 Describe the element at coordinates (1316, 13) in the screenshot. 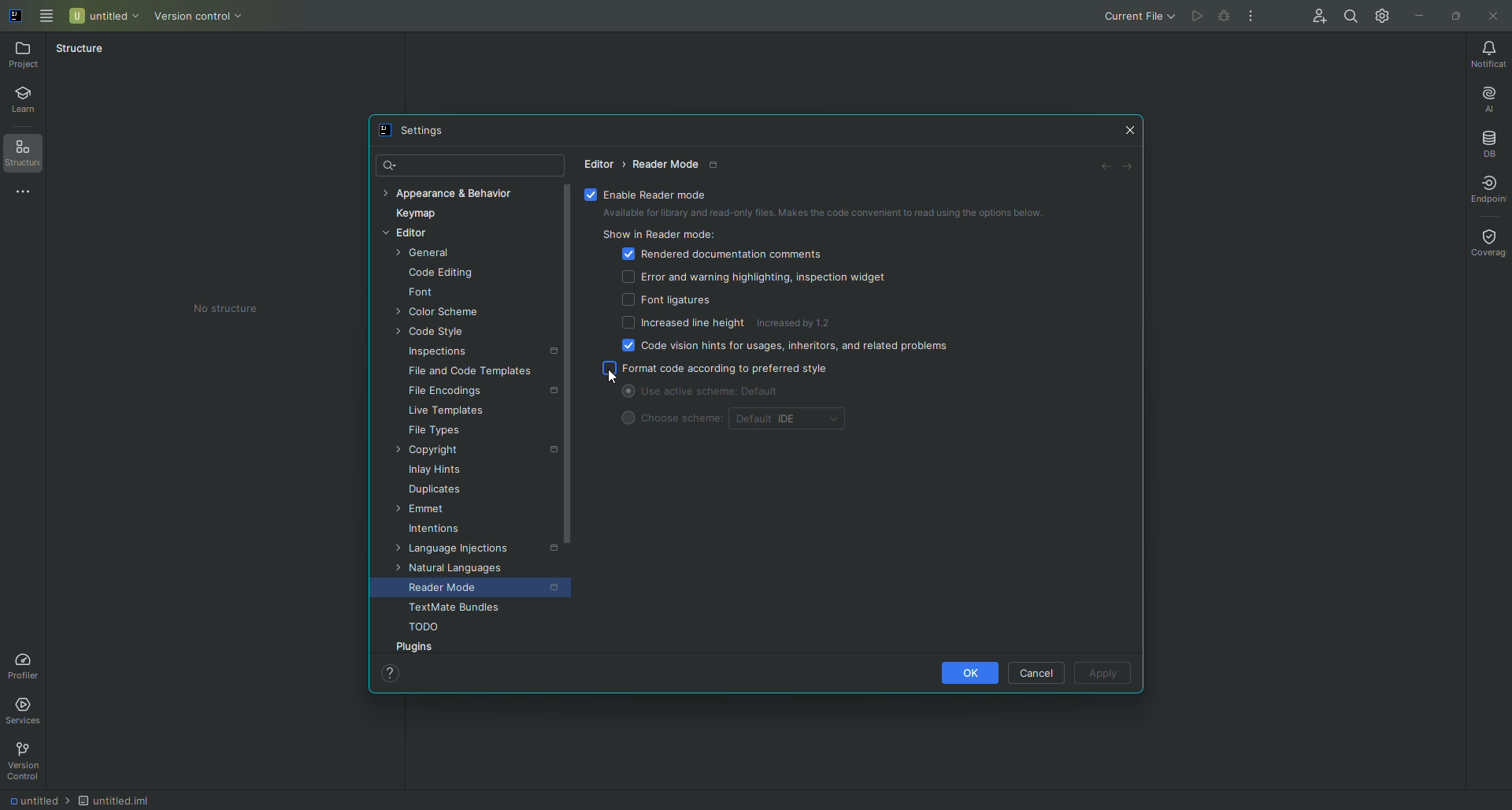

I see `Code With Me` at that location.